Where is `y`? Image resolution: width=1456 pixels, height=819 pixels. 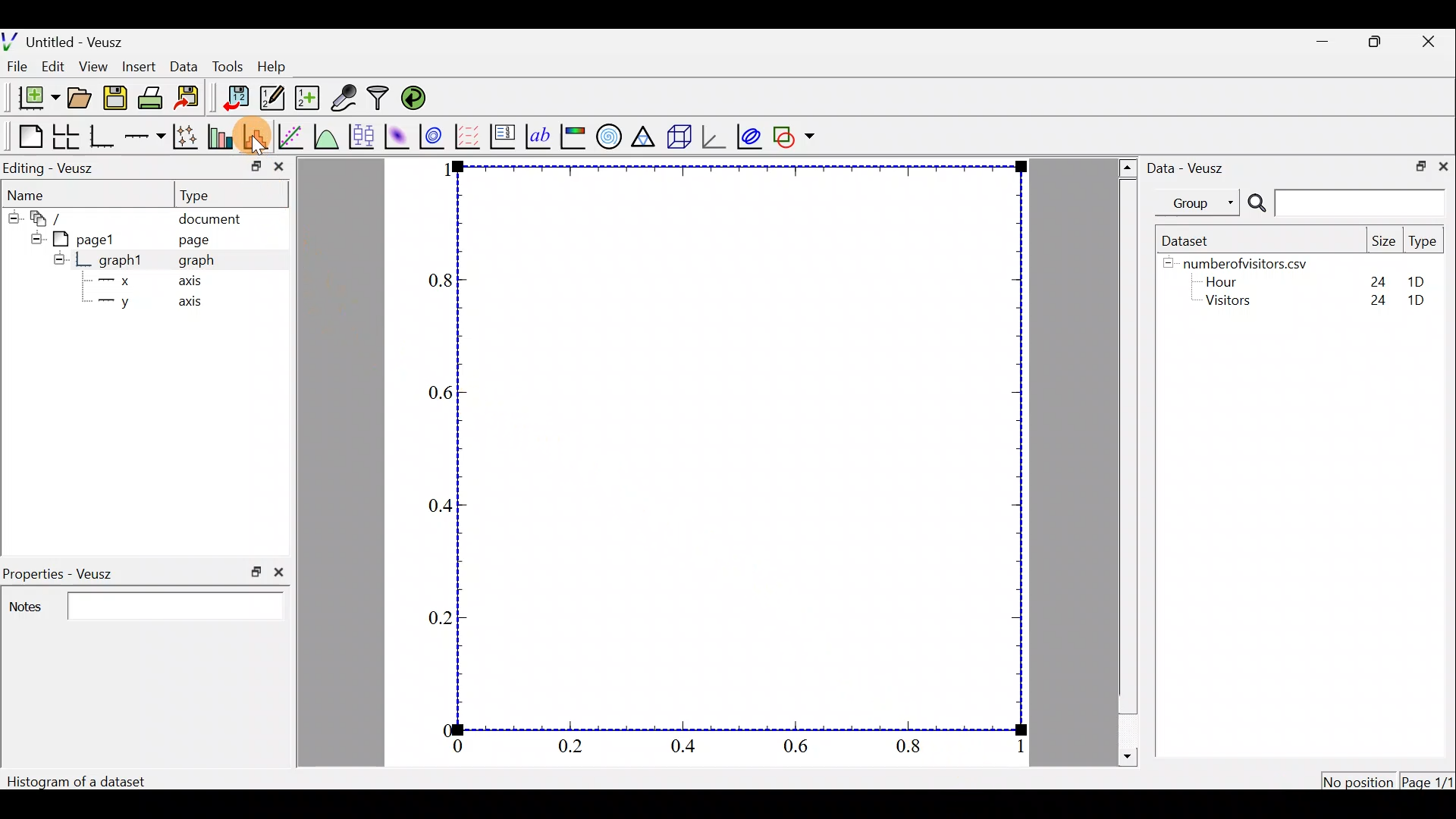 y is located at coordinates (127, 304).